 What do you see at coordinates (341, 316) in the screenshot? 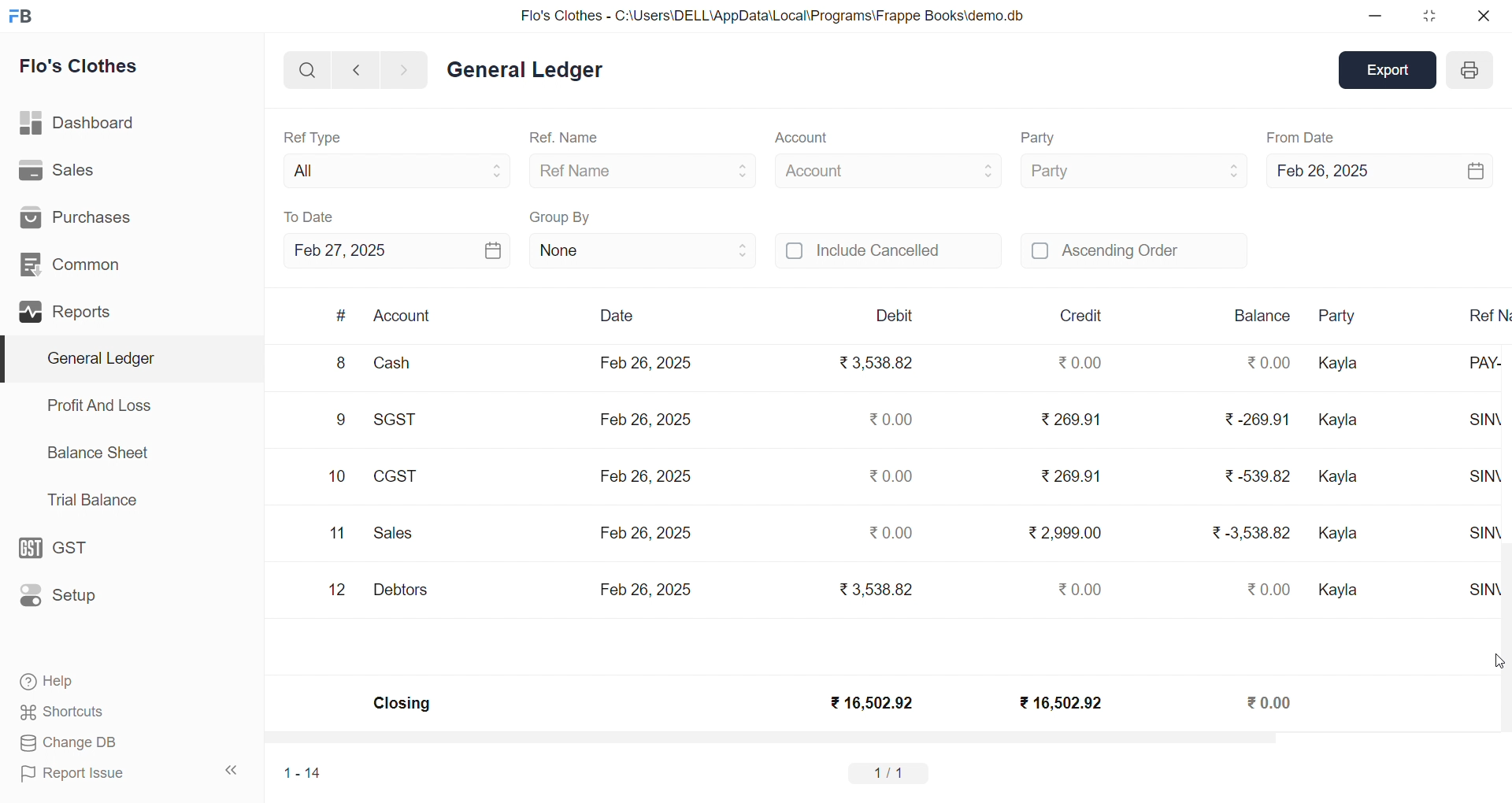
I see `#` at bounding box center [341, 316].